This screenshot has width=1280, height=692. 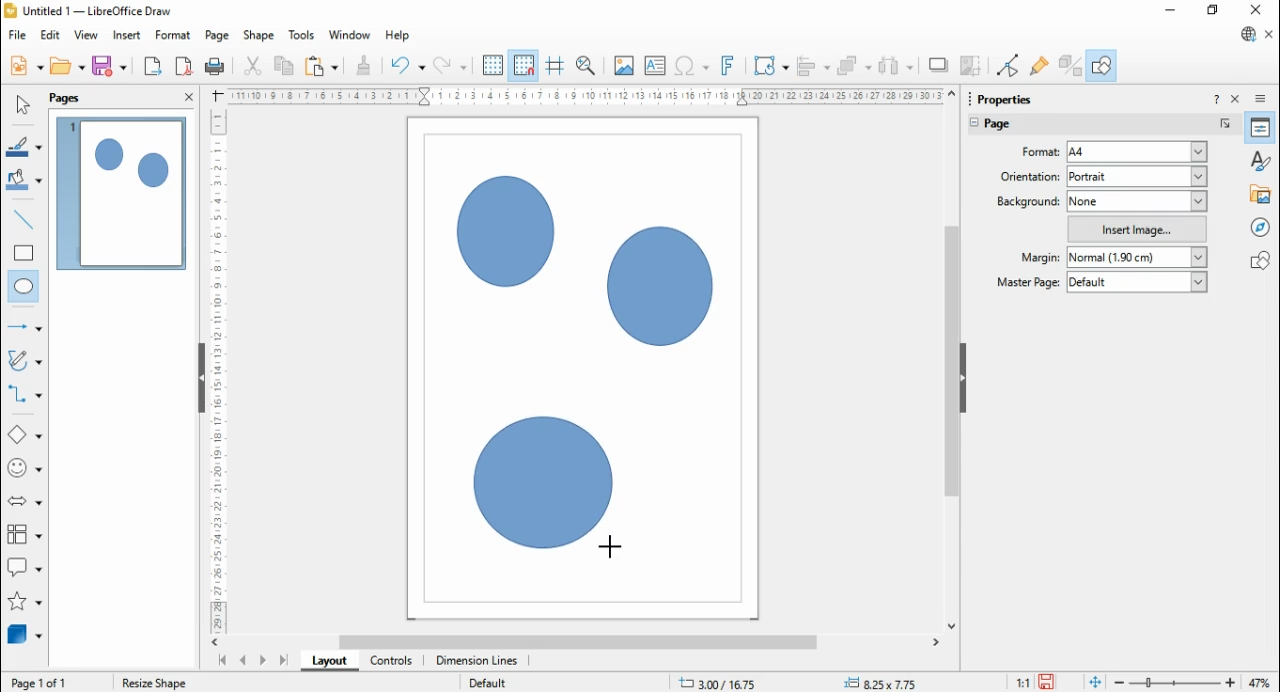 What do you see at coordinates (1137, 258) in the screenshot?
I see `normal` at bounding box center [1137, 258].